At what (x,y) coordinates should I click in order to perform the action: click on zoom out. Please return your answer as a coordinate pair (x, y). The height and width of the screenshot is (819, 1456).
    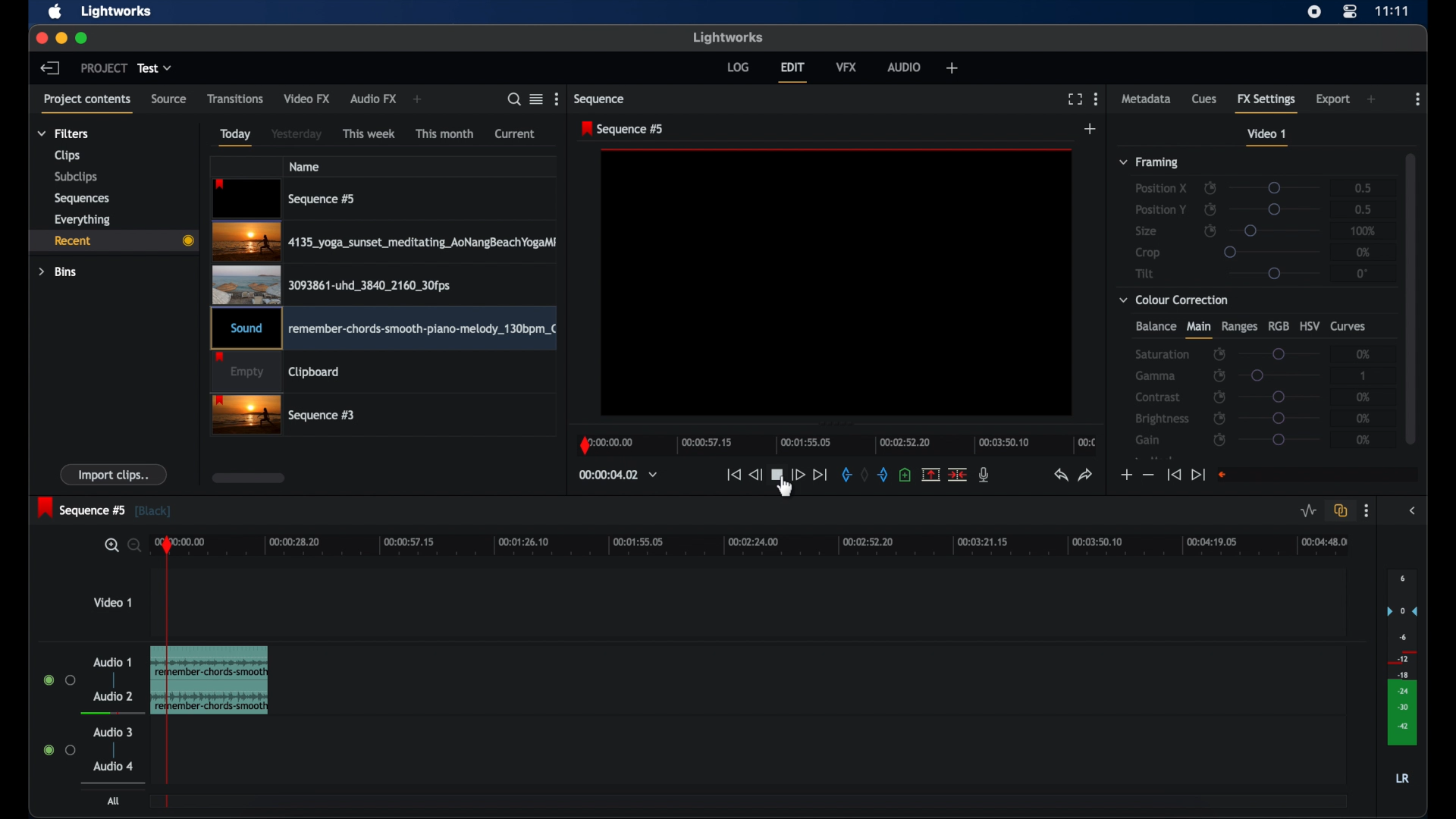
    Looking at the image, I should click on (132, 547).